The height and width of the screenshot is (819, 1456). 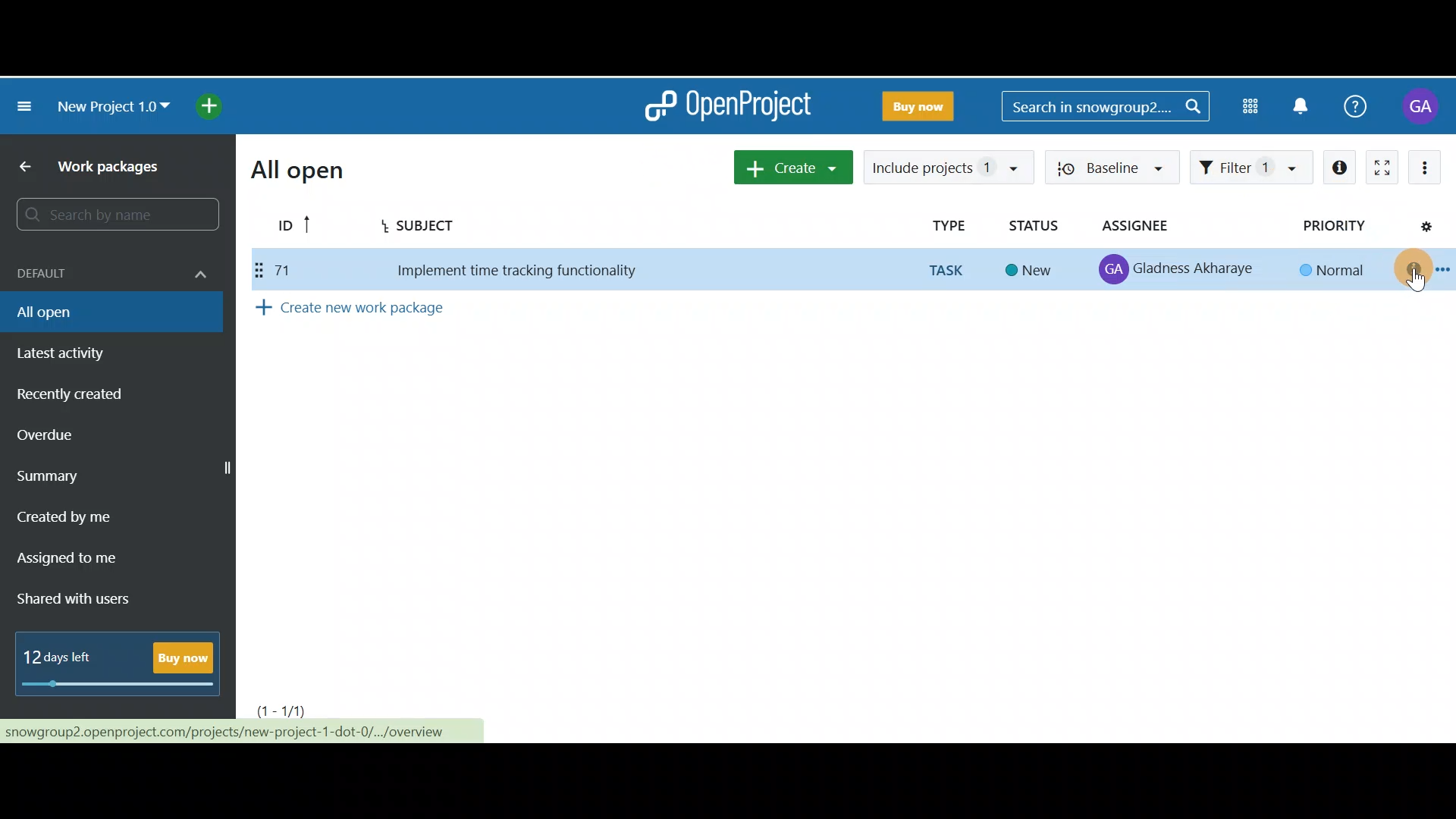 What do you see at coordinates (1113, 271) in the screenshot?
I see `profile icon` at bounding box center [1113, 271].